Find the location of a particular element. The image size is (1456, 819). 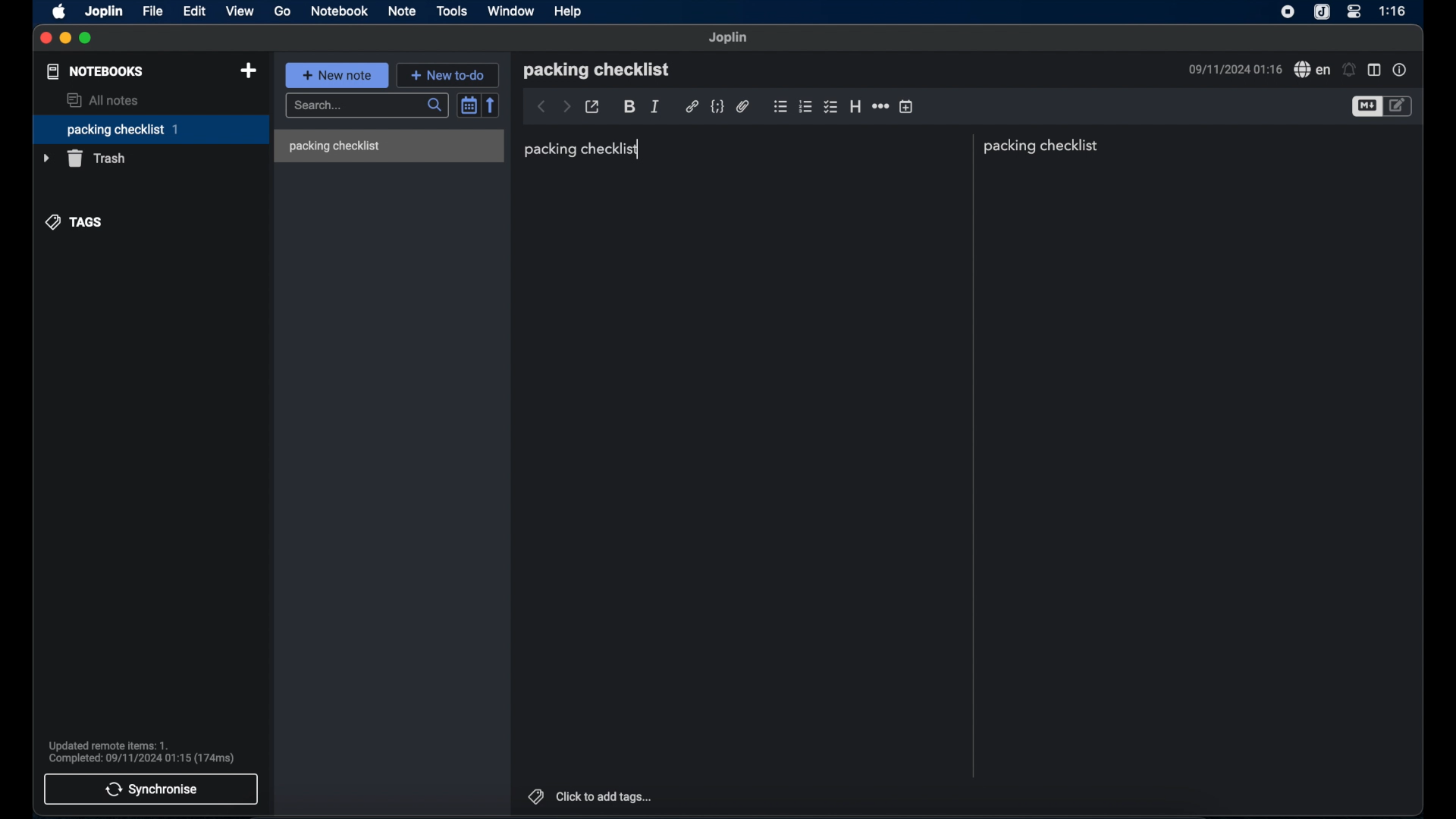

toggle sort order field is located at coordinates (468, 105).